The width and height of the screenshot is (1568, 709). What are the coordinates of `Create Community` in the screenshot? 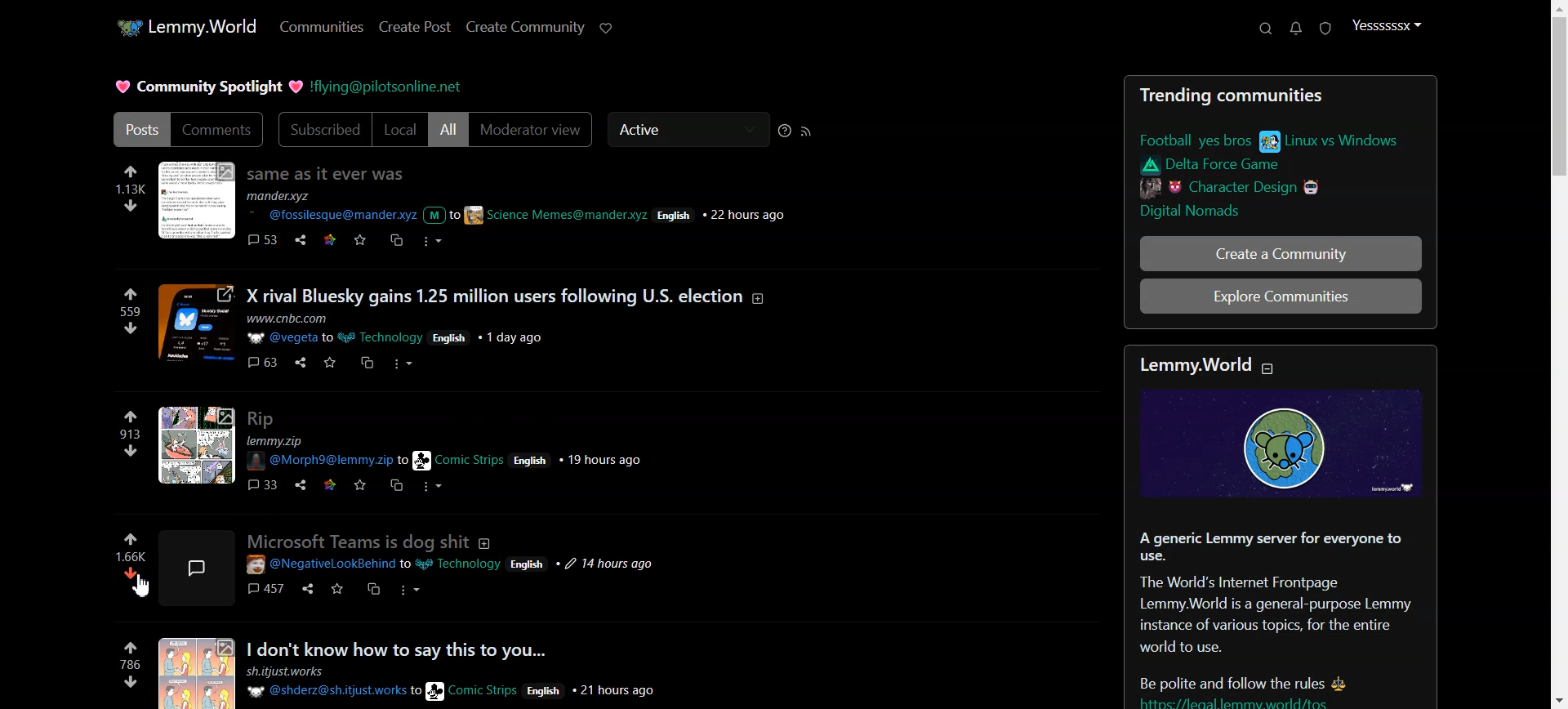 It's located at (526, 27).